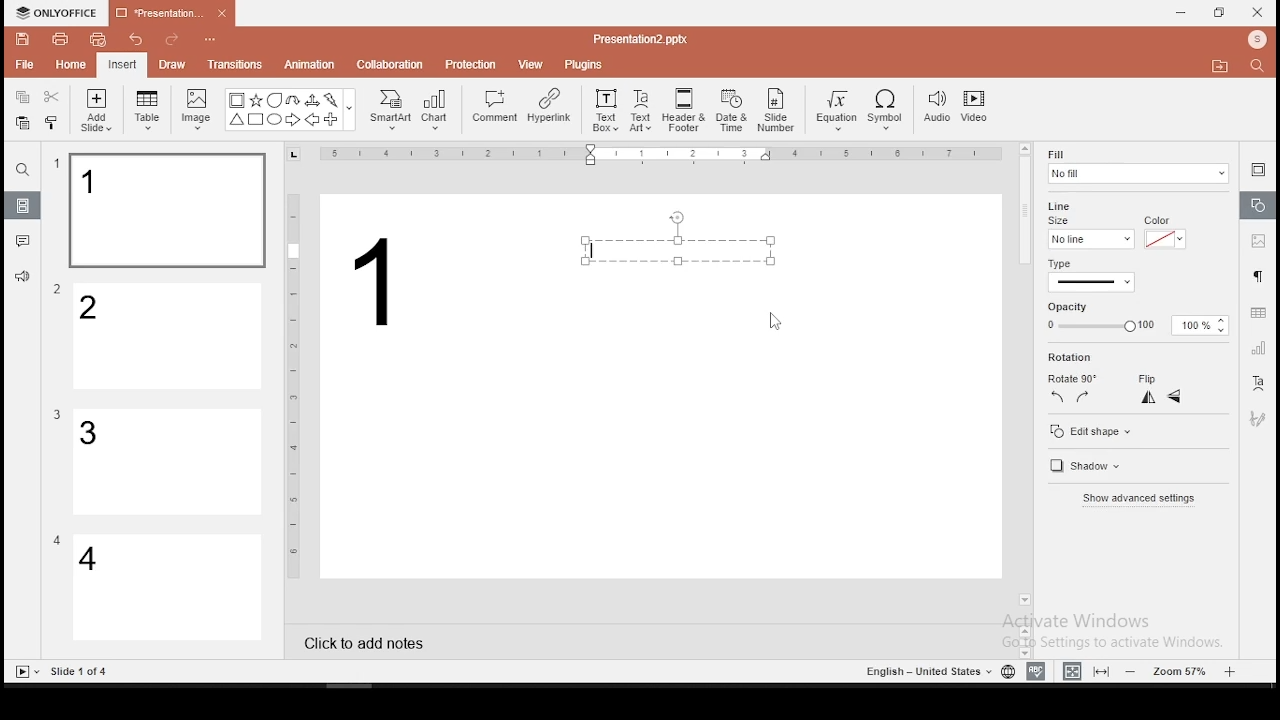 The image size is (1280, 720). I want to click on flip vertical, so click(1176, 399).